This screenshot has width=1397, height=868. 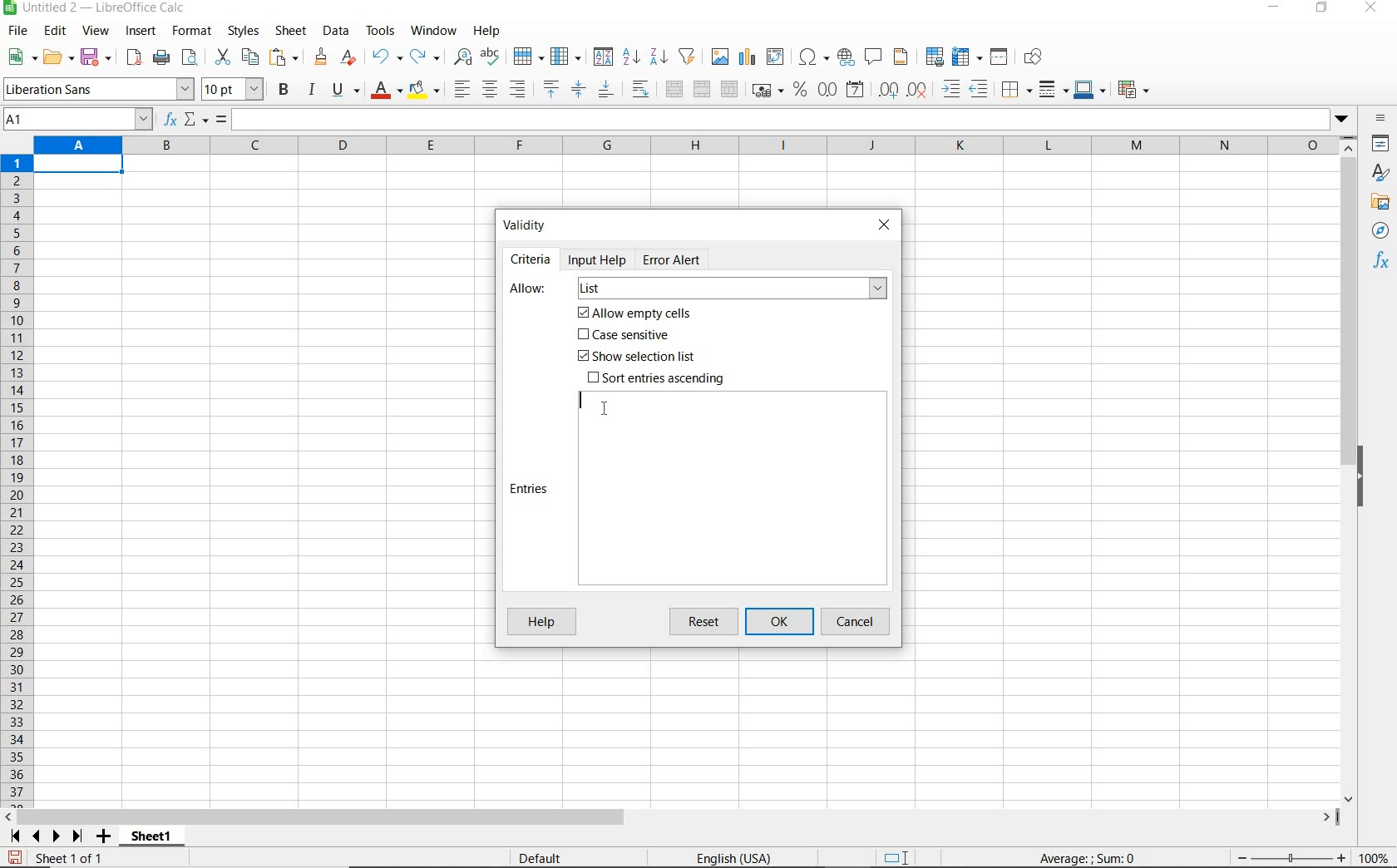 I want to click on ok, so click(x=783, y=622).